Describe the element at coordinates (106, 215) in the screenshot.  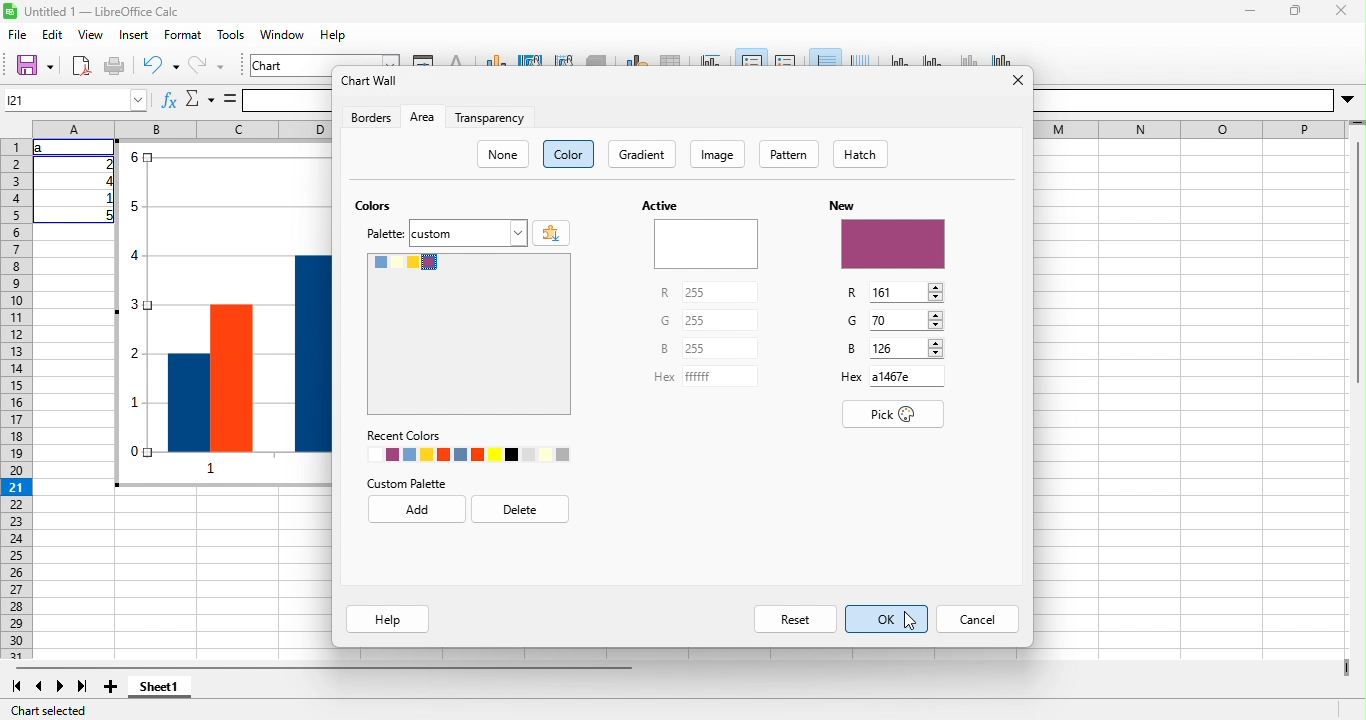
I see `5` at that location.